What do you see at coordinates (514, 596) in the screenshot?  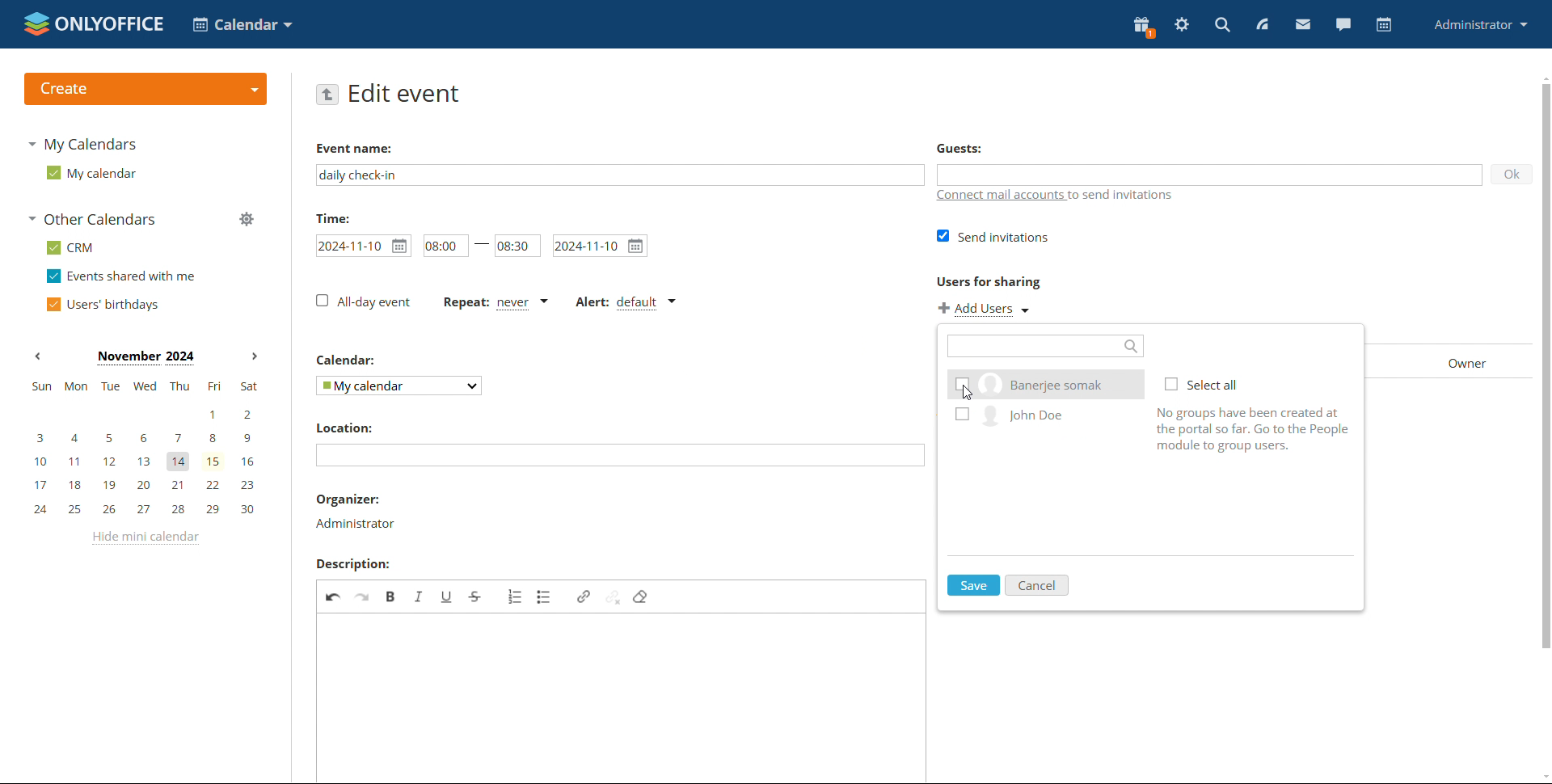 I see `insert/remove numbered list` at bounding box center [514, 596].